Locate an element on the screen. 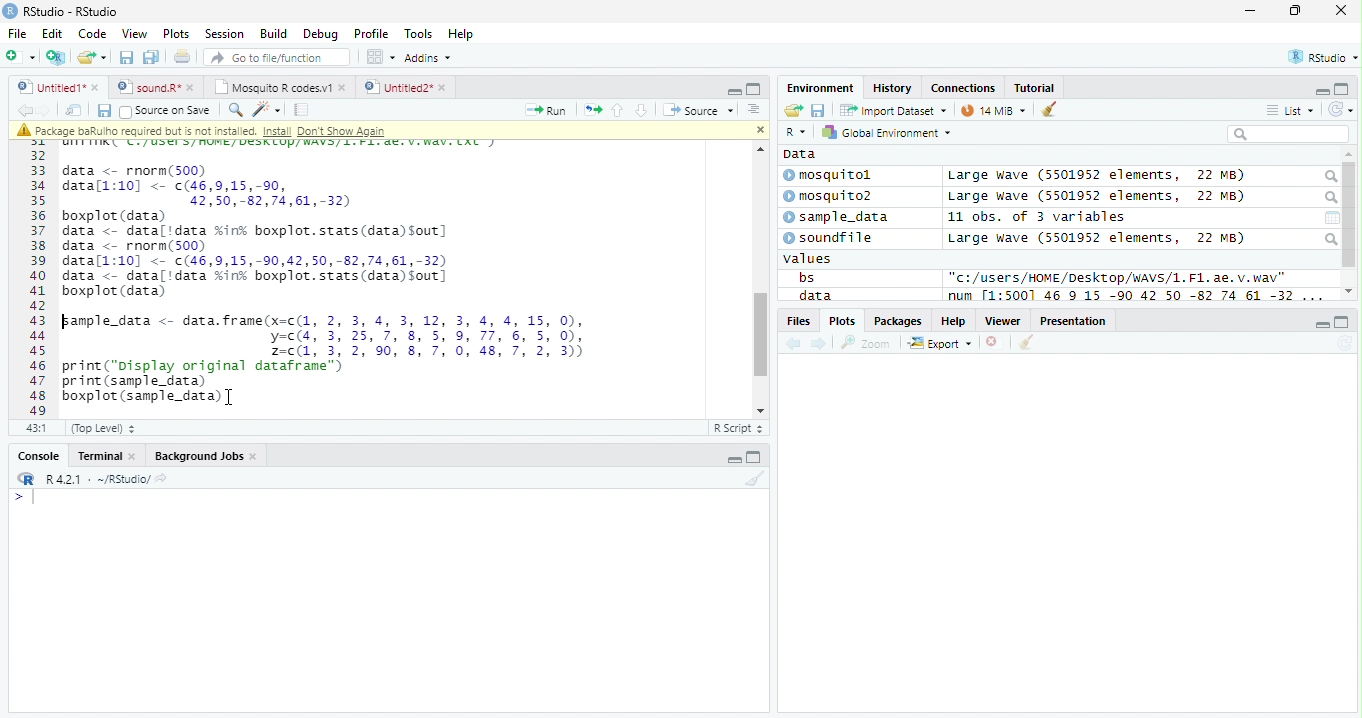  Calendar is located at coordinates (1332, 218).